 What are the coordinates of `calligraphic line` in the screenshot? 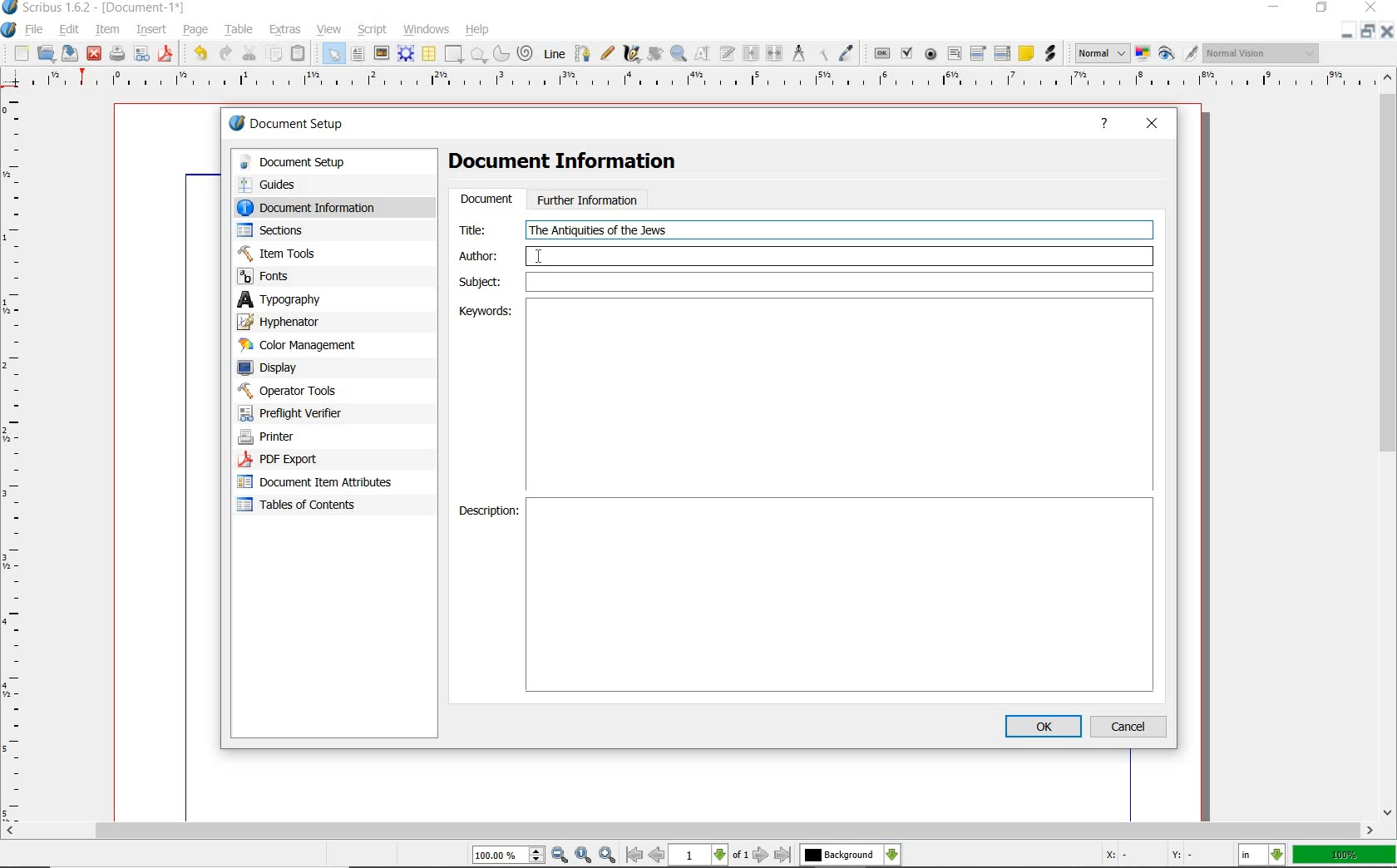 It's located at (632, 55).